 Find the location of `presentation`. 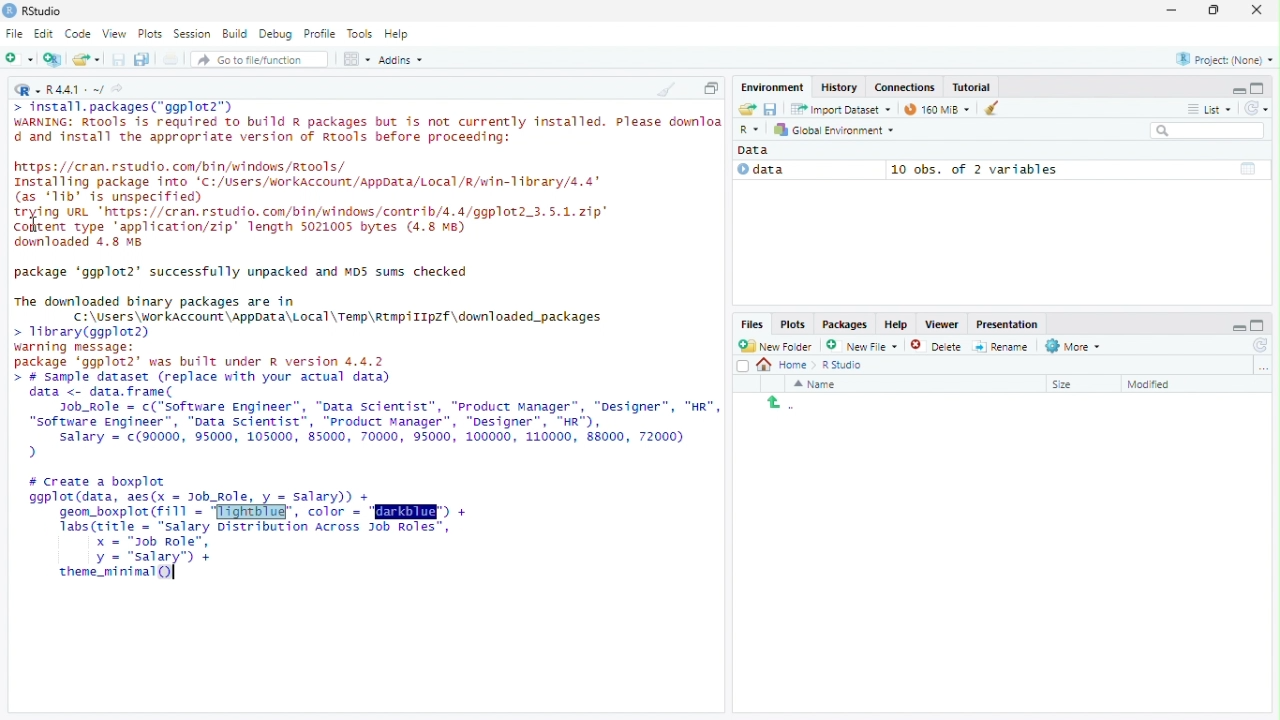

presentation is located at coordinates (1010, 324).